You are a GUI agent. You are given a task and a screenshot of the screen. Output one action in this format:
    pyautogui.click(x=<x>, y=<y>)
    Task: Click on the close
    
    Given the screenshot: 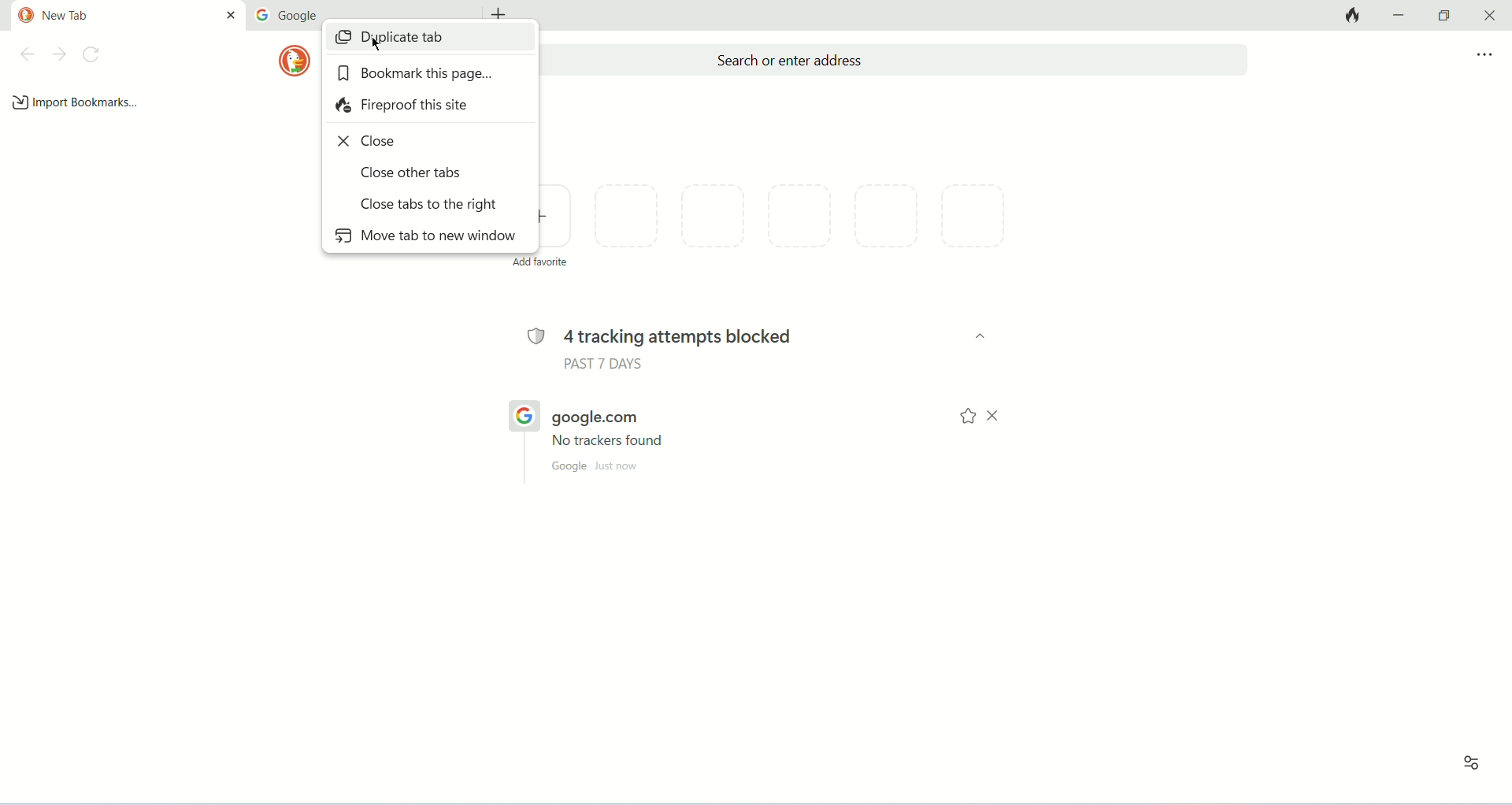 What is the action you would take?
    pyautogui.click(x=372, y=143)
    